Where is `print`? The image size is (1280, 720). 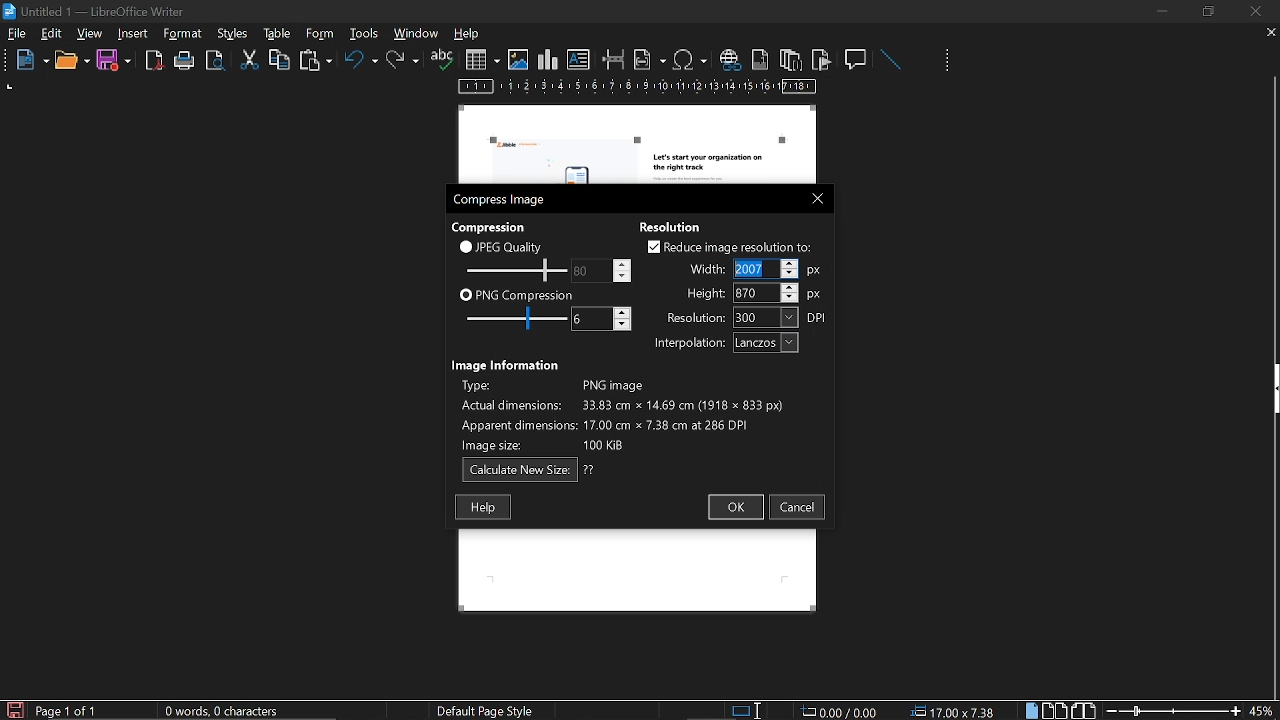 print is located at coordinates (185, 61).